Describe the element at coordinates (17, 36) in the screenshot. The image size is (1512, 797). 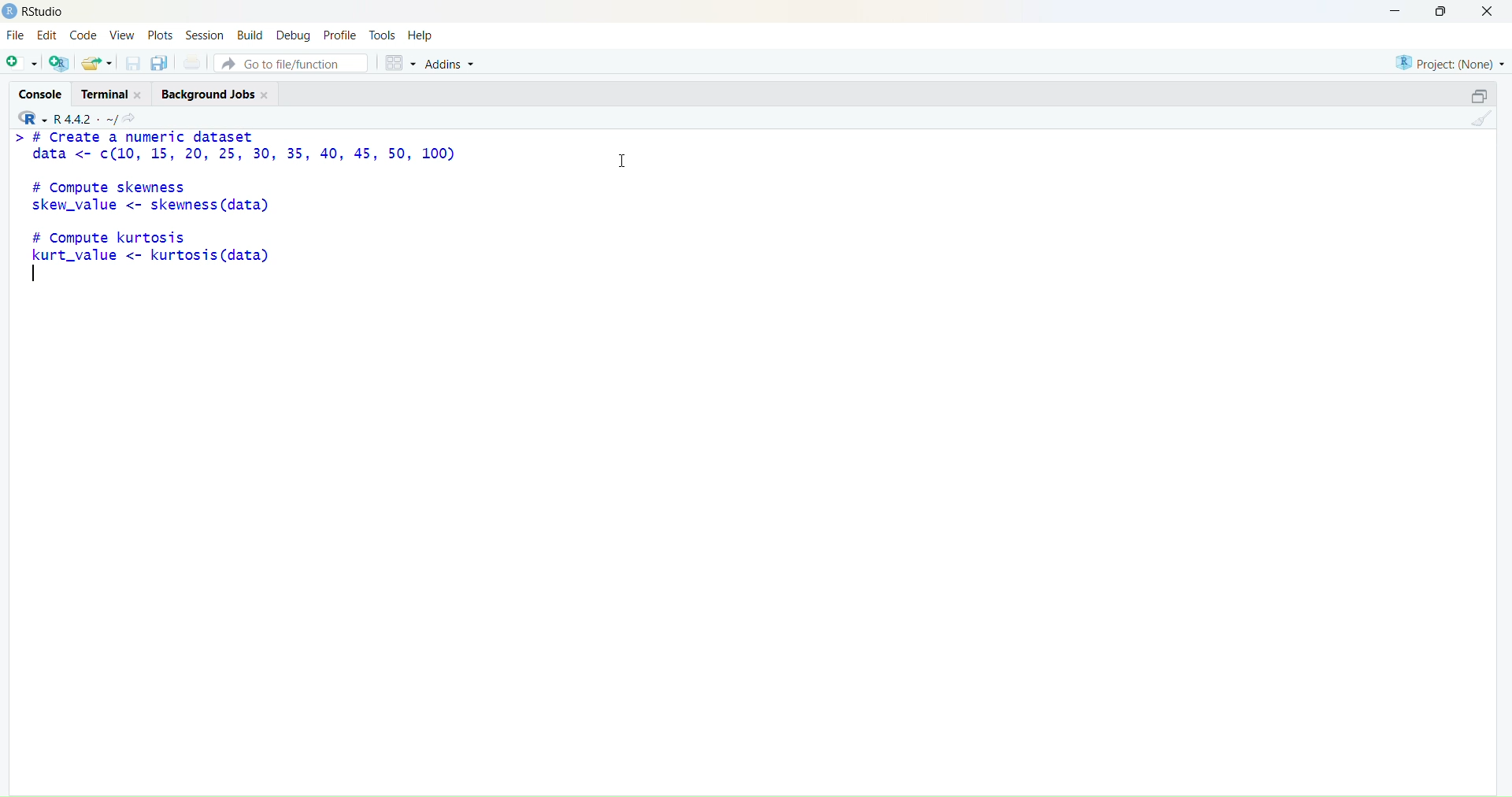
I see `File` at that location.